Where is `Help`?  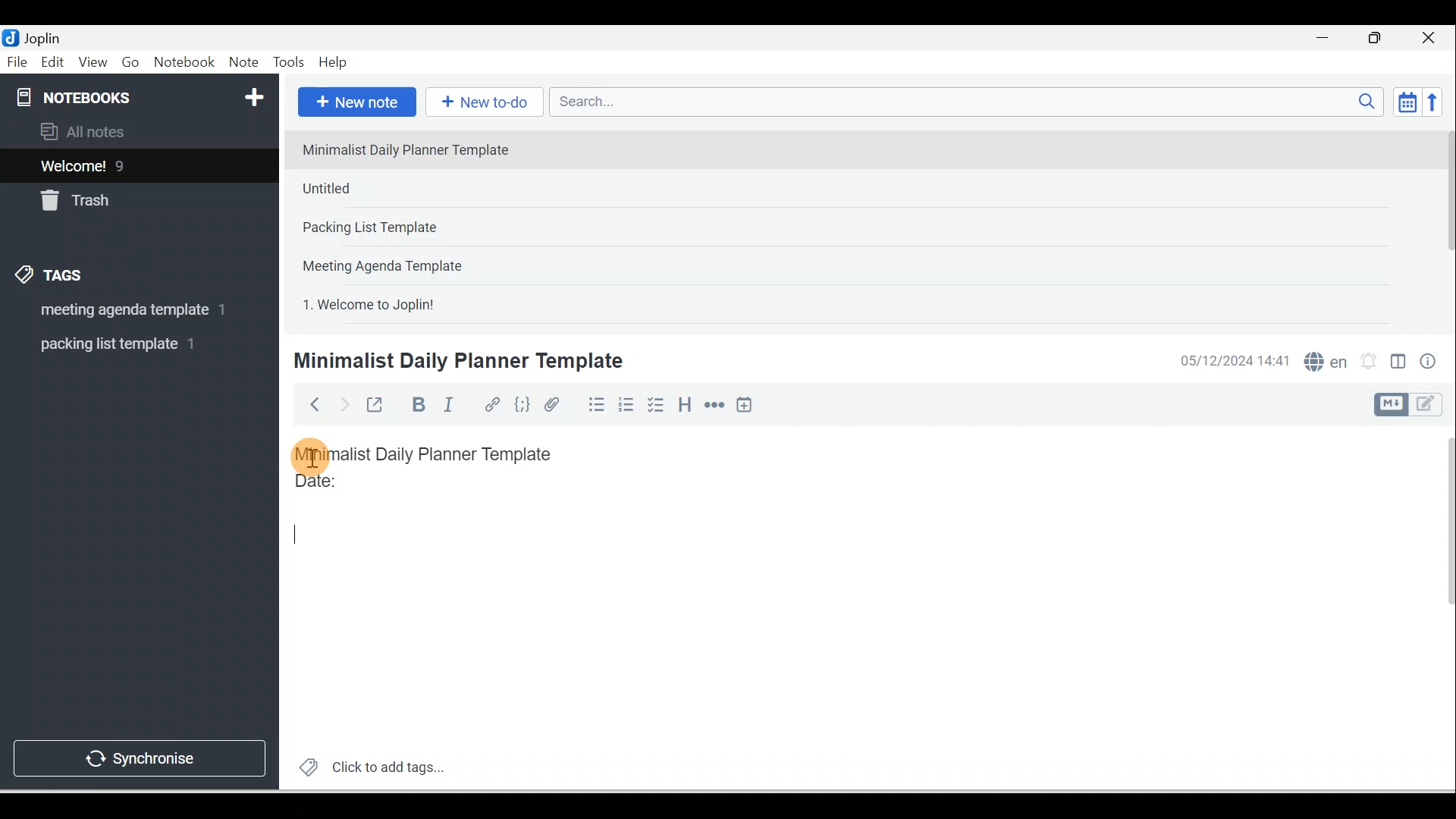 Help is located at coordinates (334, 63).